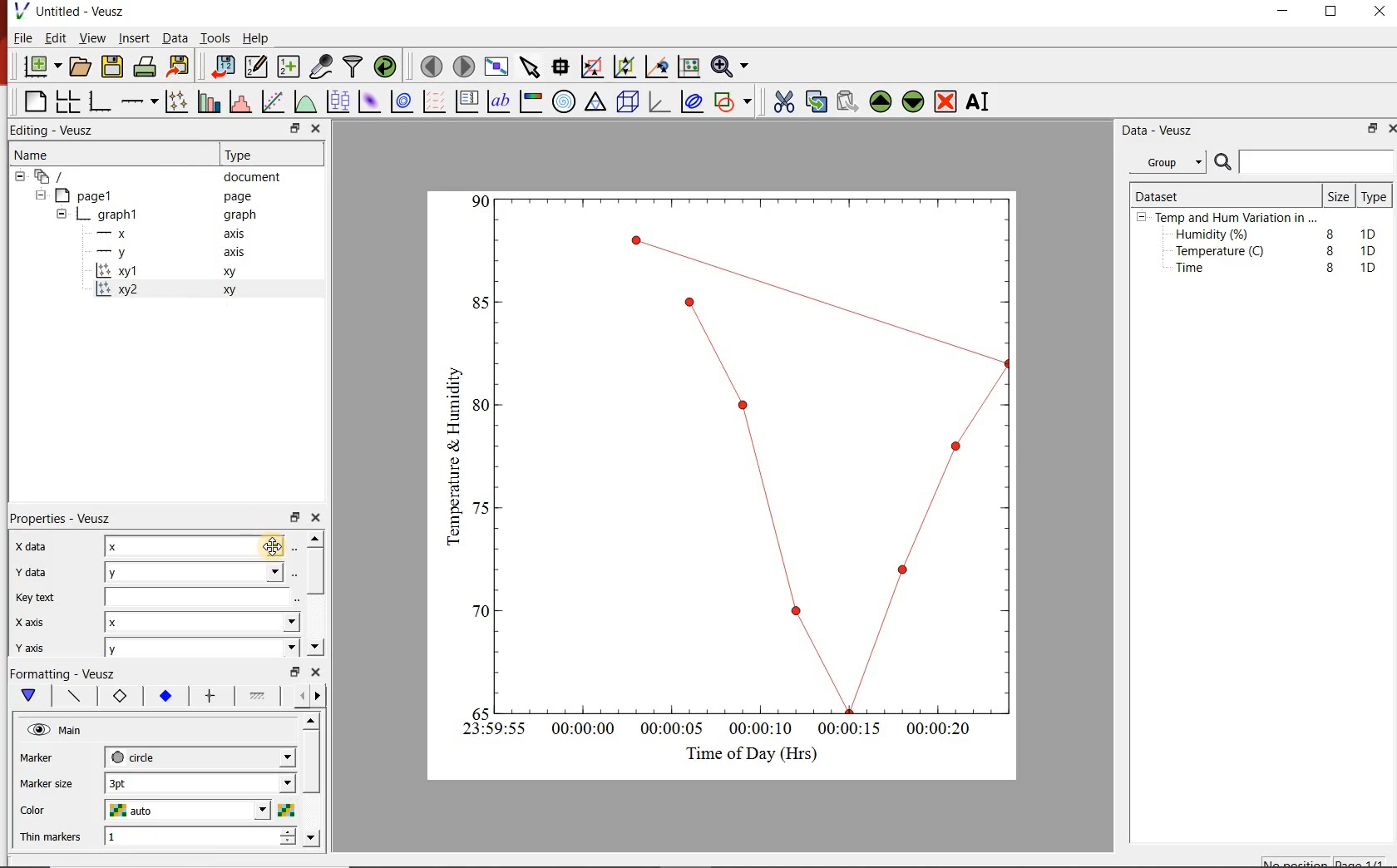 This screenshot has width=1397, height=868. What do you see at coordinates (881, 100) in the screenshot?
I see `Move the selected widget up` at bounding box center [881, 100].